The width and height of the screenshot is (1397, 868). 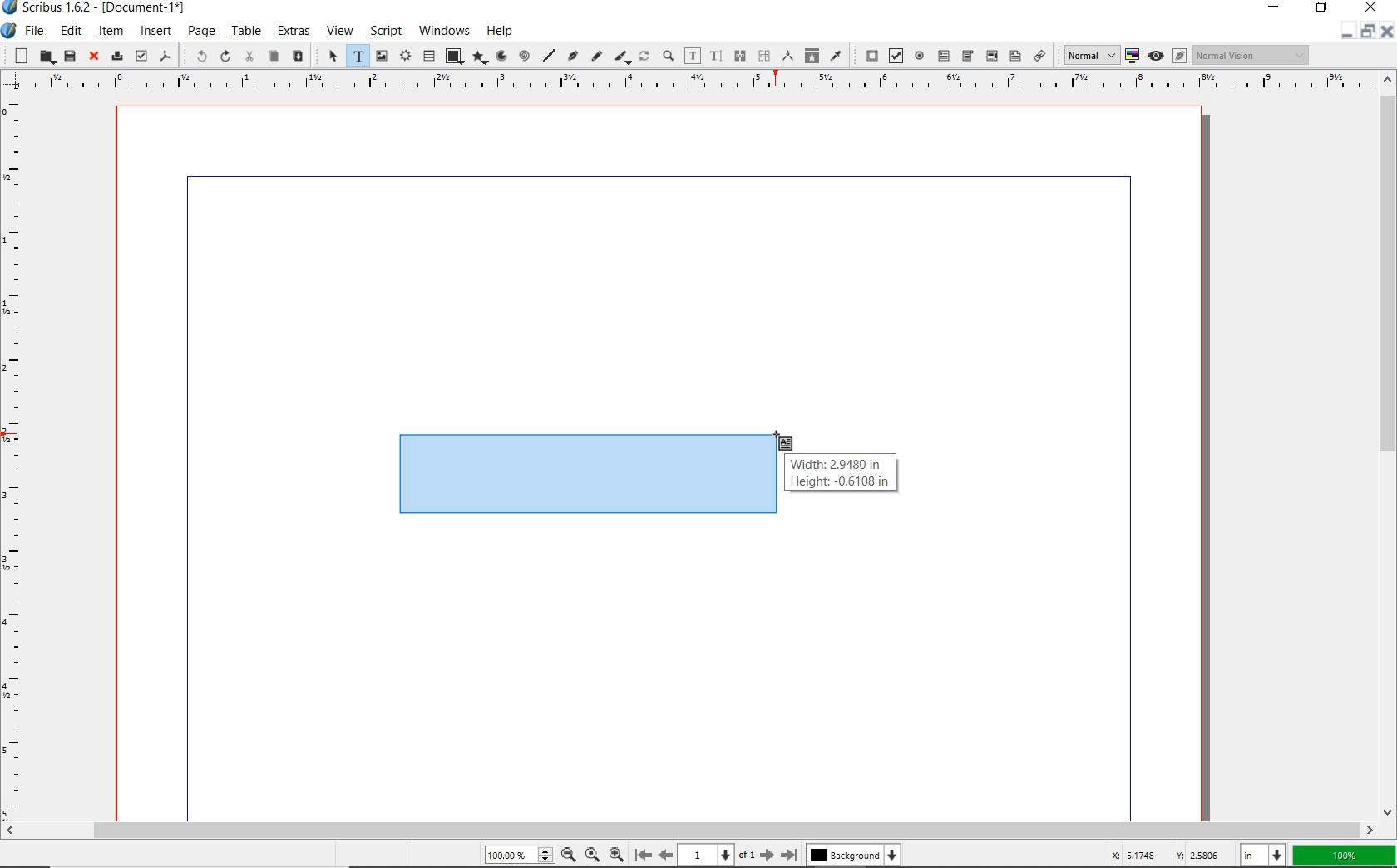 I want to click on edit contents of frame, so click(x=693, y=57).